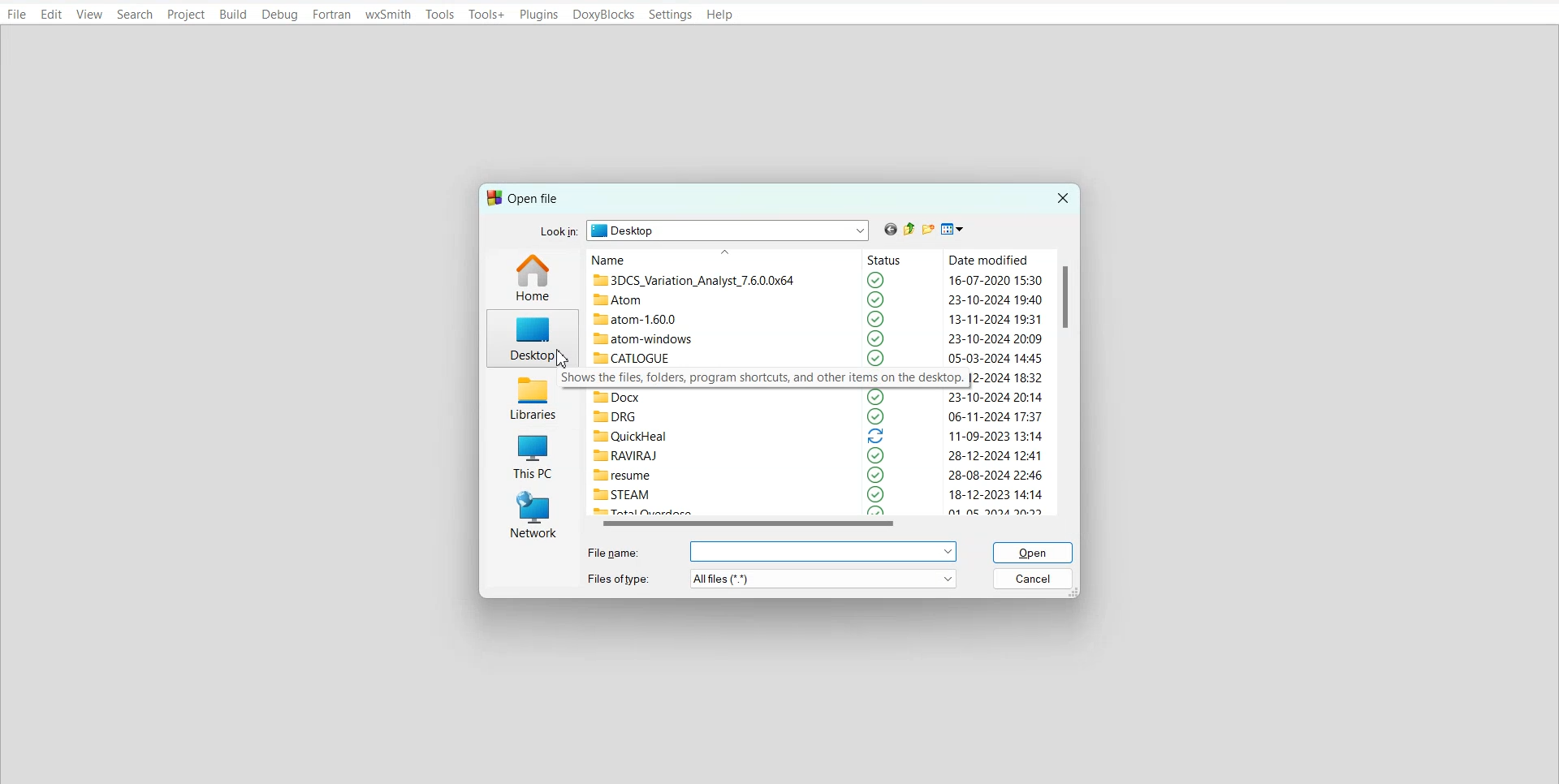 This screenshot has width=1559, height=784. I want to click on selected logo, so click(877, 416).